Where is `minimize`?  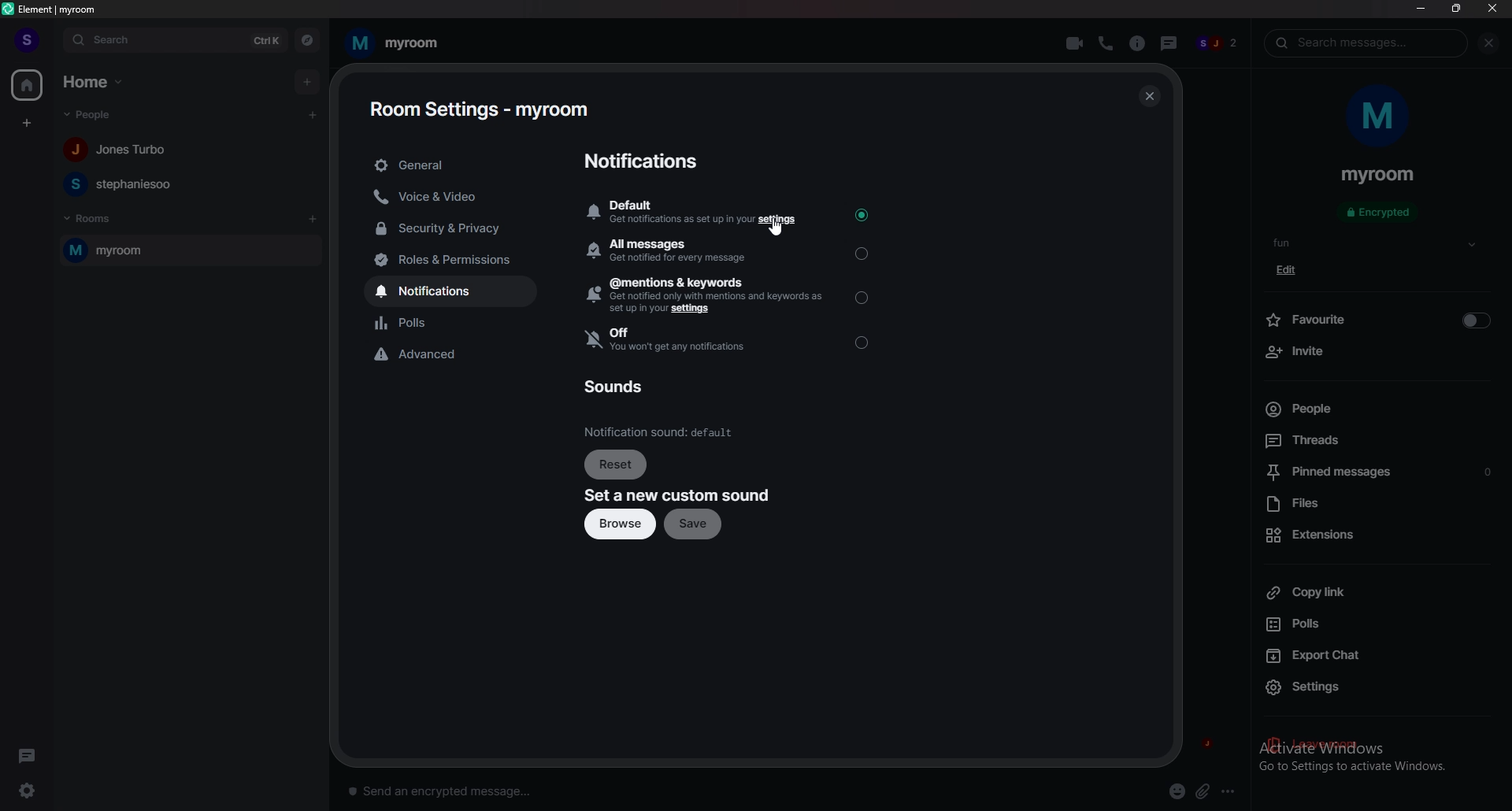 minimize is located at coordinates (1421, 8).